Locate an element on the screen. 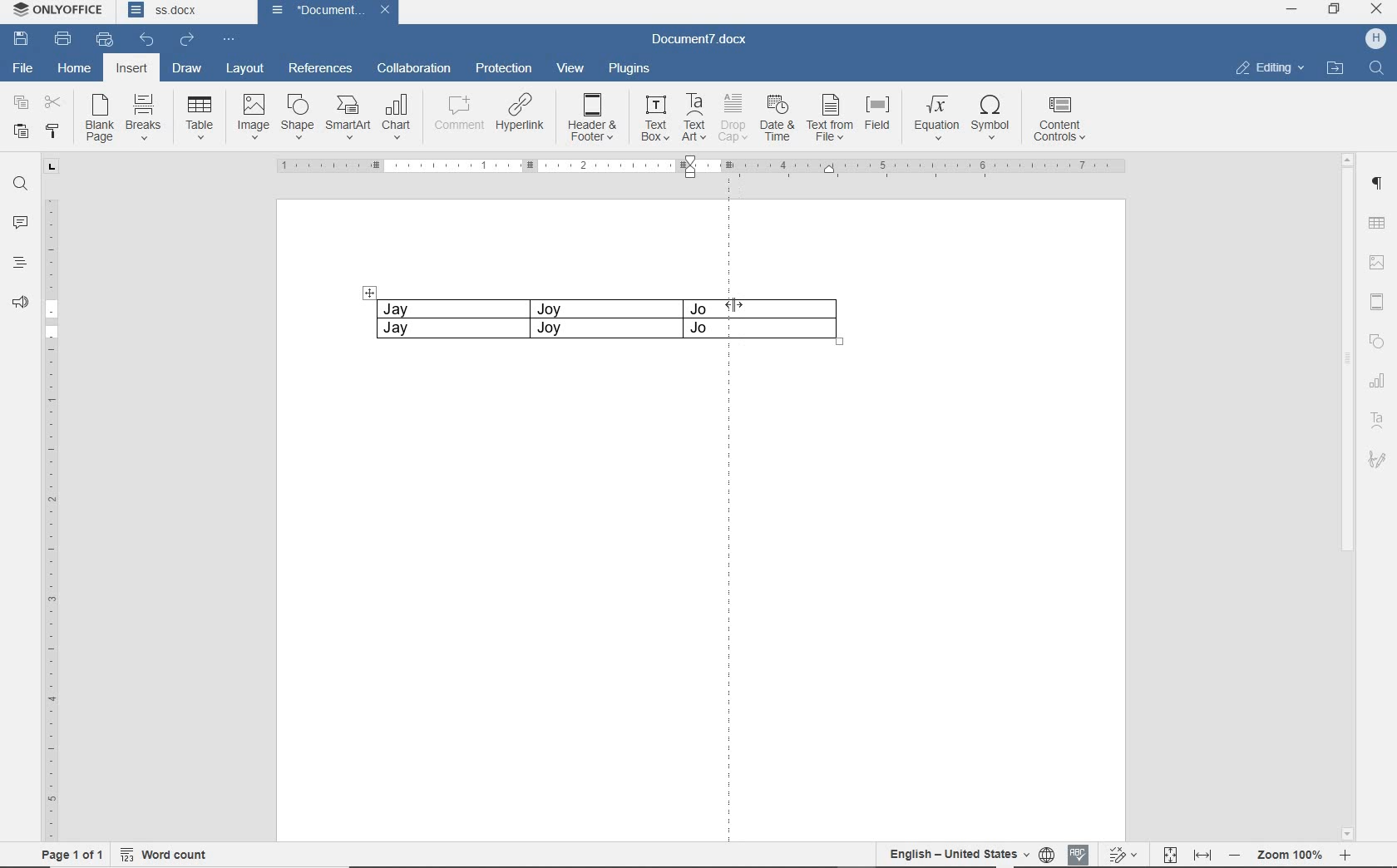 This screenshot has height=868, width=1397. SET DOCUMENT LANGUAGE is located at coordinates (1049, 852).